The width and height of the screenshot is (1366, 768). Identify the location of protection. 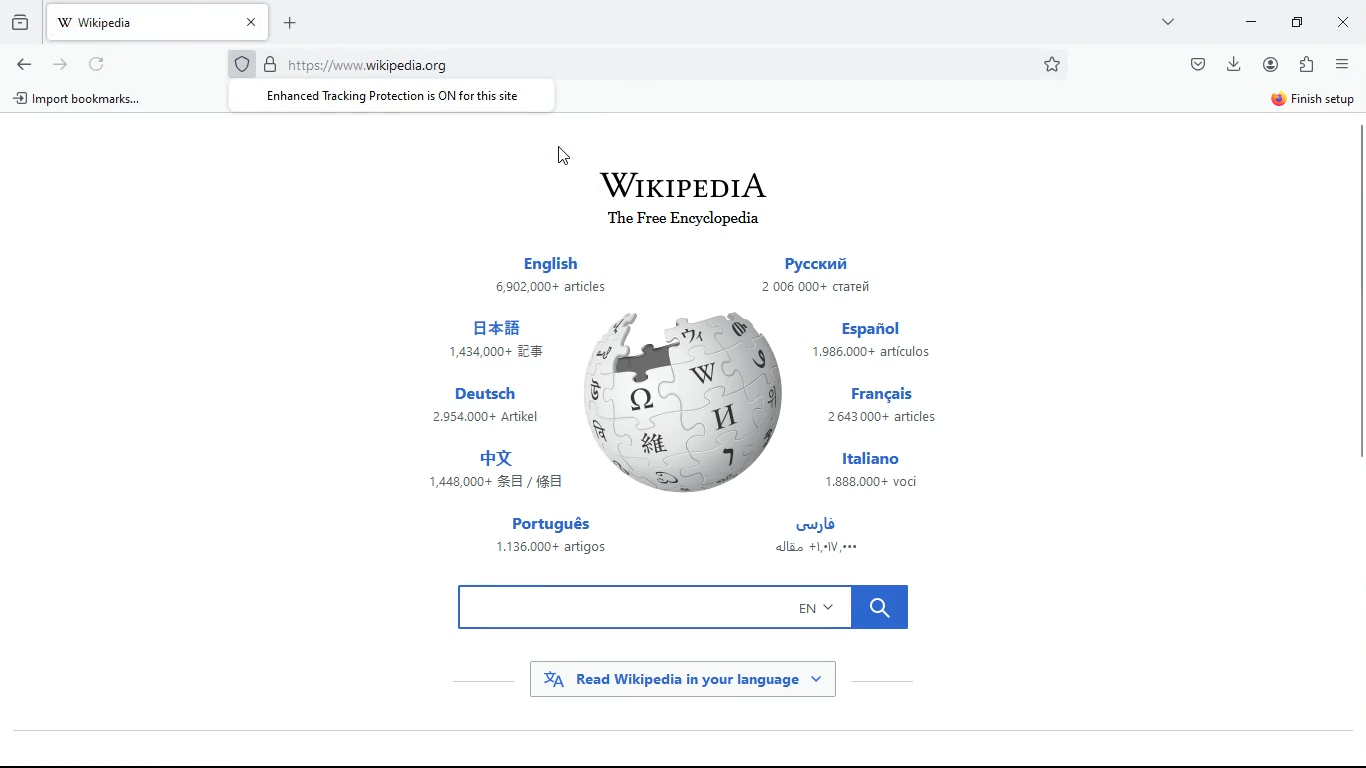
(244, 63).